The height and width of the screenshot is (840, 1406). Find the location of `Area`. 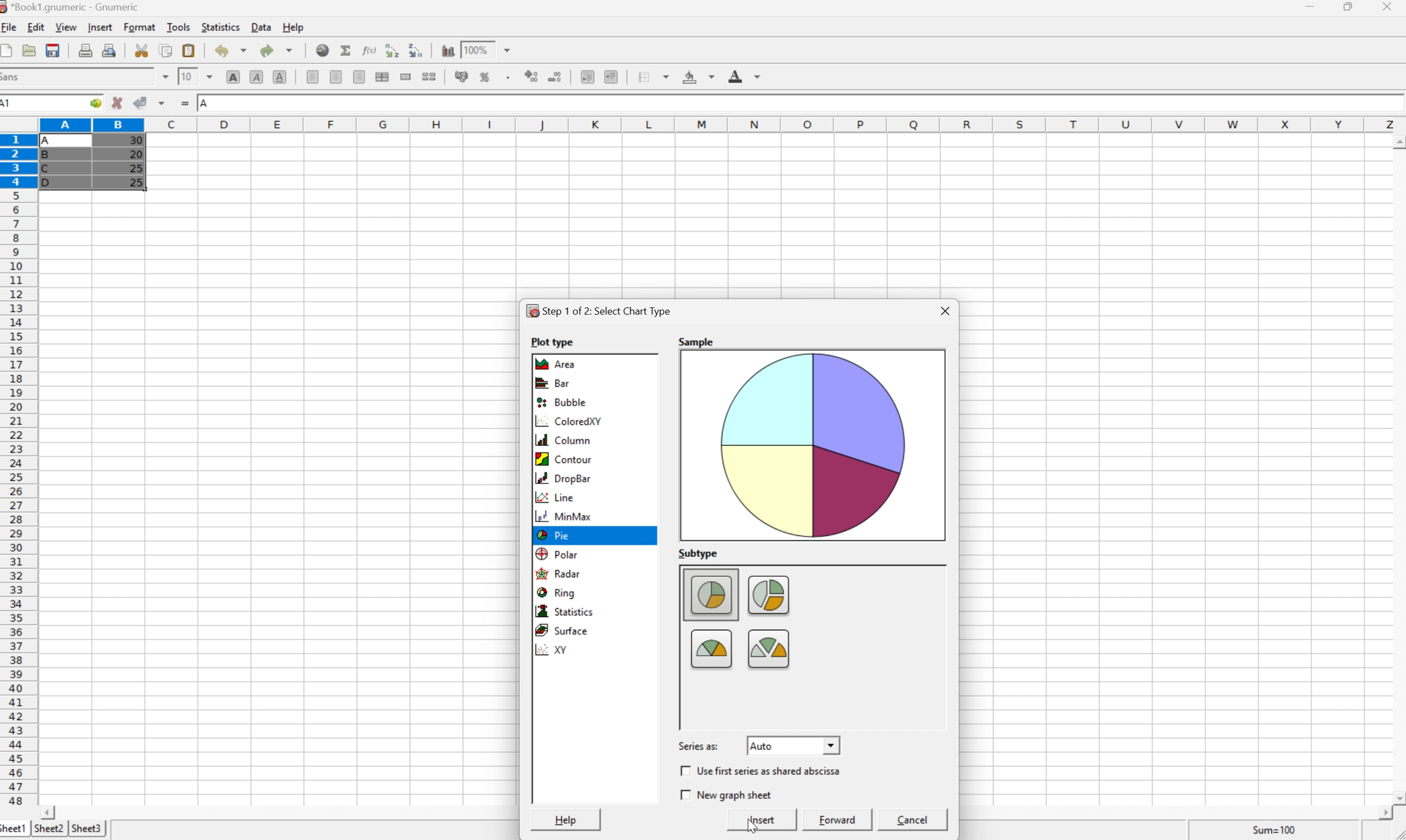

Area is located at coordinates (558, 364).